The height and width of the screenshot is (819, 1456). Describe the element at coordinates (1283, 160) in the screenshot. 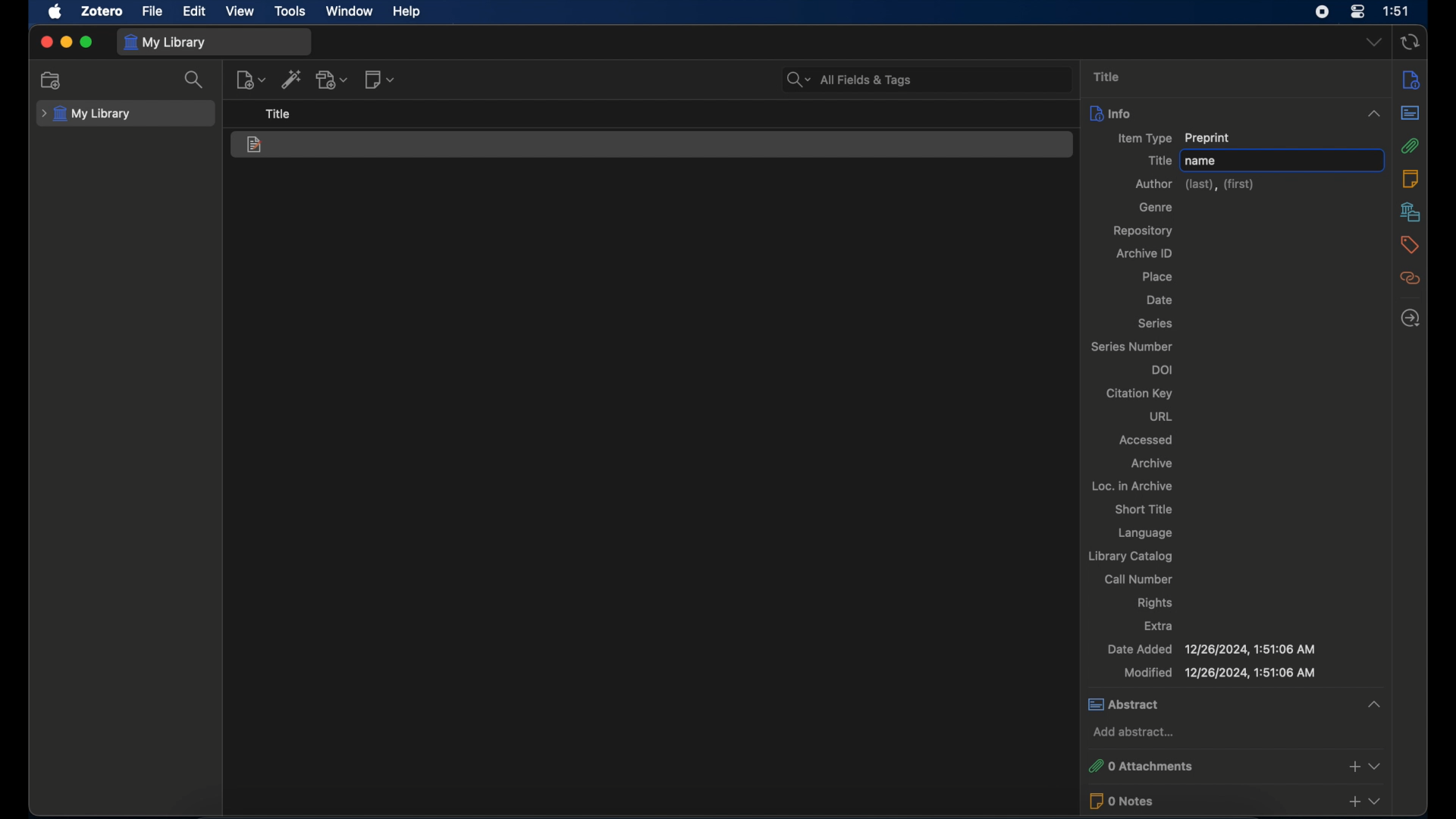

I see `name` at that location.